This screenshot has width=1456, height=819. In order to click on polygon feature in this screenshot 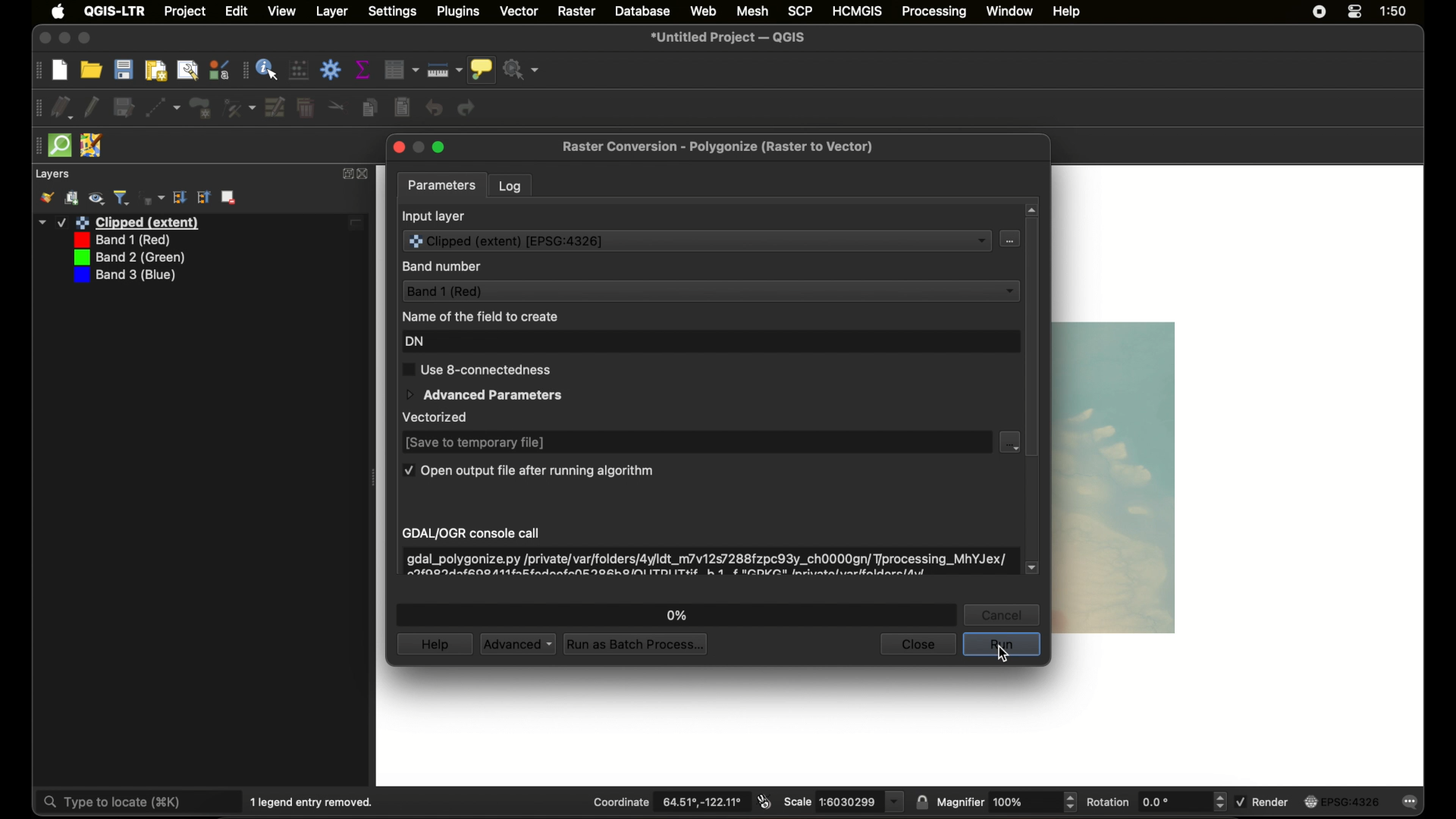, I will do `click(200, 108)`.